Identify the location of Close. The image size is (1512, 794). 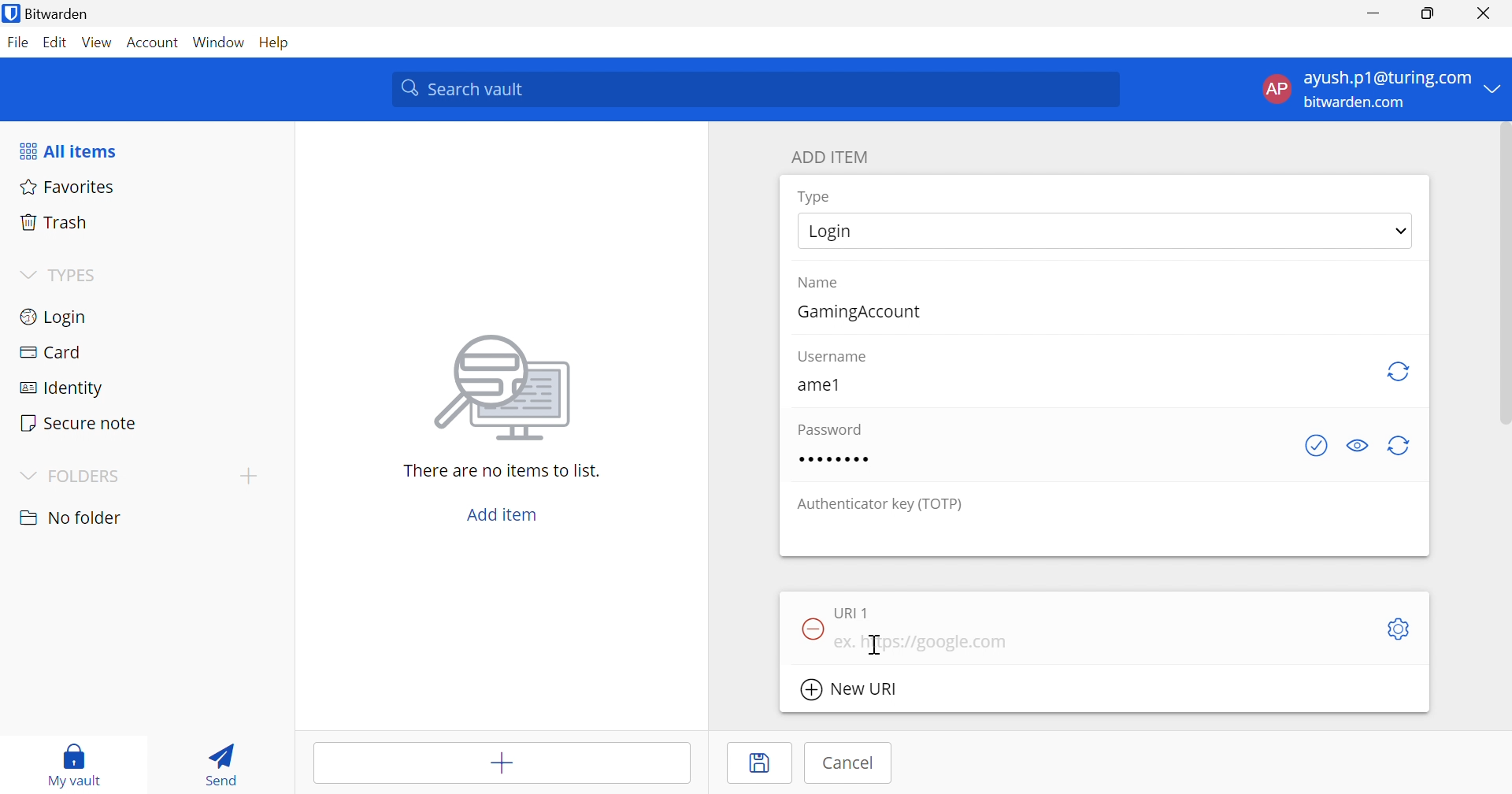
(1486, 15).